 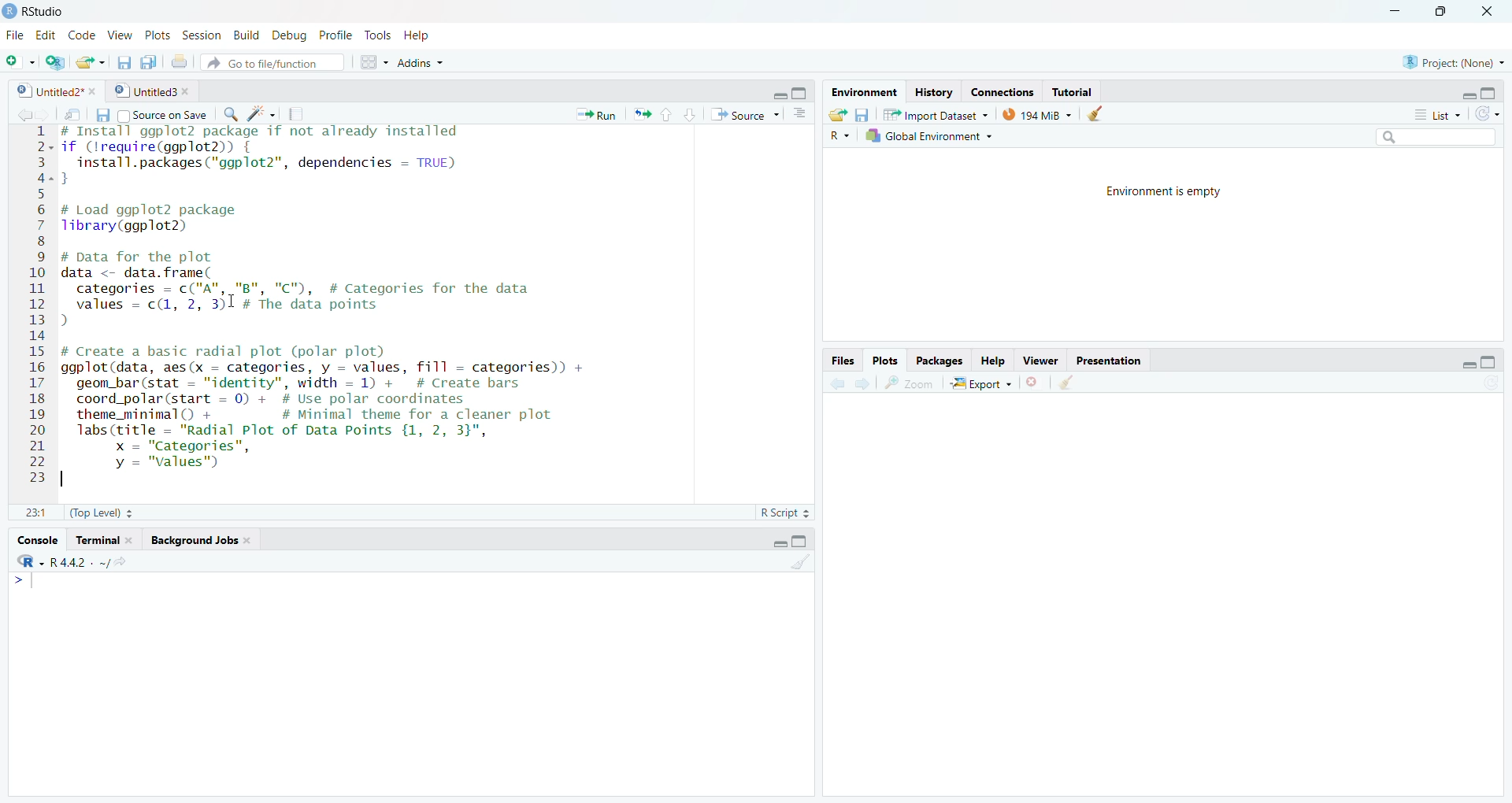 I want to click on Console, so click(x=33, y=541).